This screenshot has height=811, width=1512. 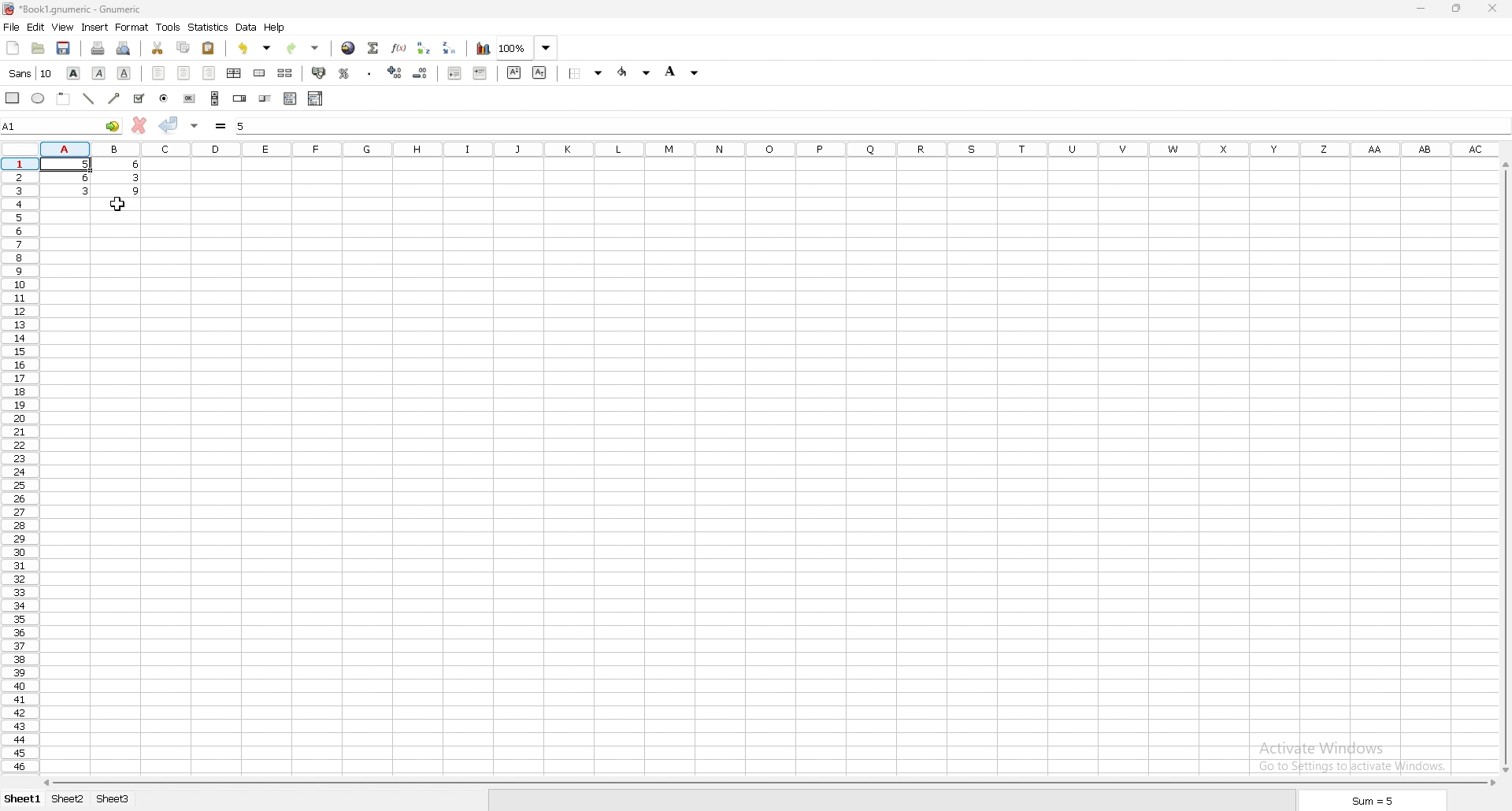 I want to click on scroll button, so click(x=214, y=98).